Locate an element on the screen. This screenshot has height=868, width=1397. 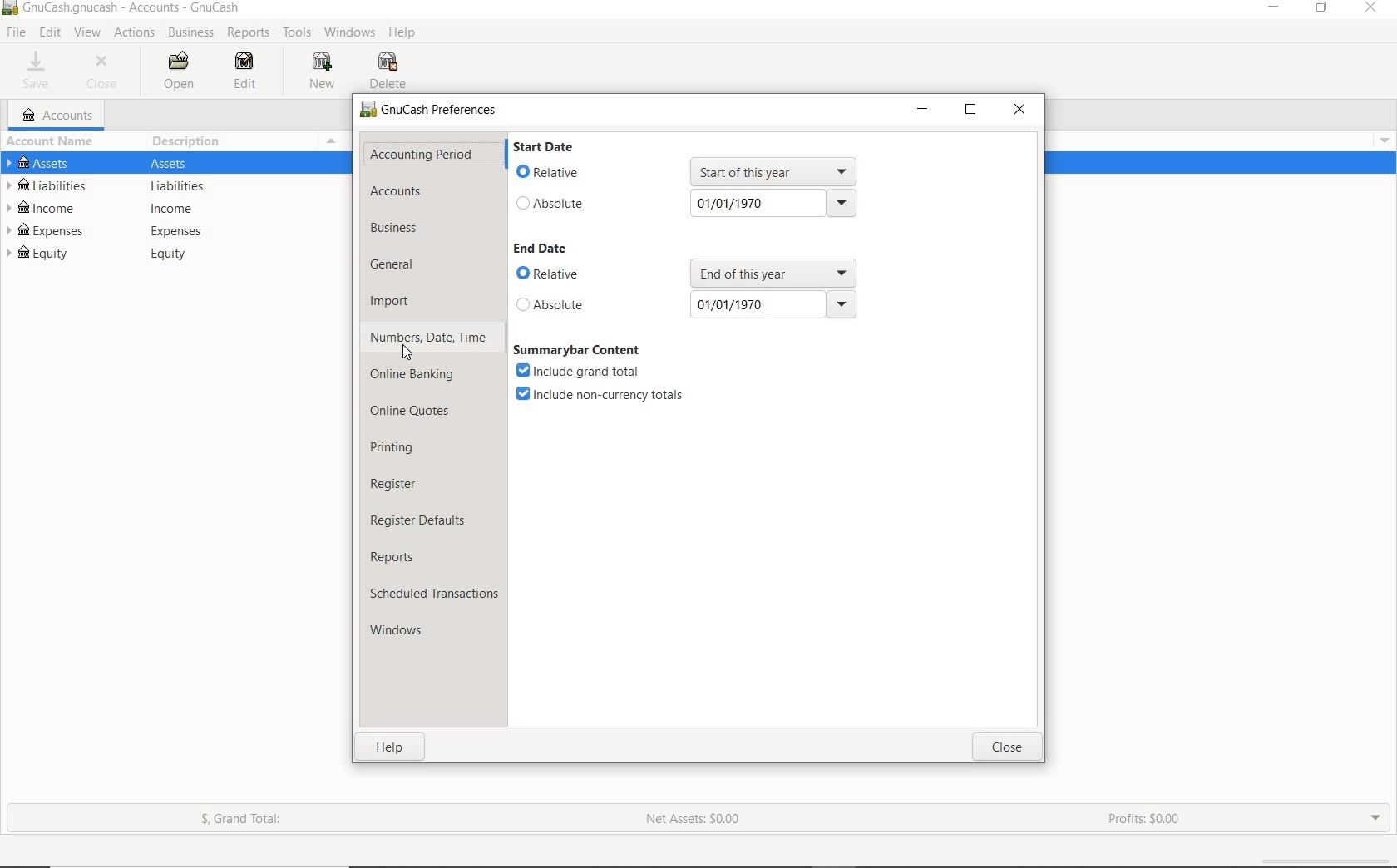
EXPENSES is located at coordinates (166, 231).